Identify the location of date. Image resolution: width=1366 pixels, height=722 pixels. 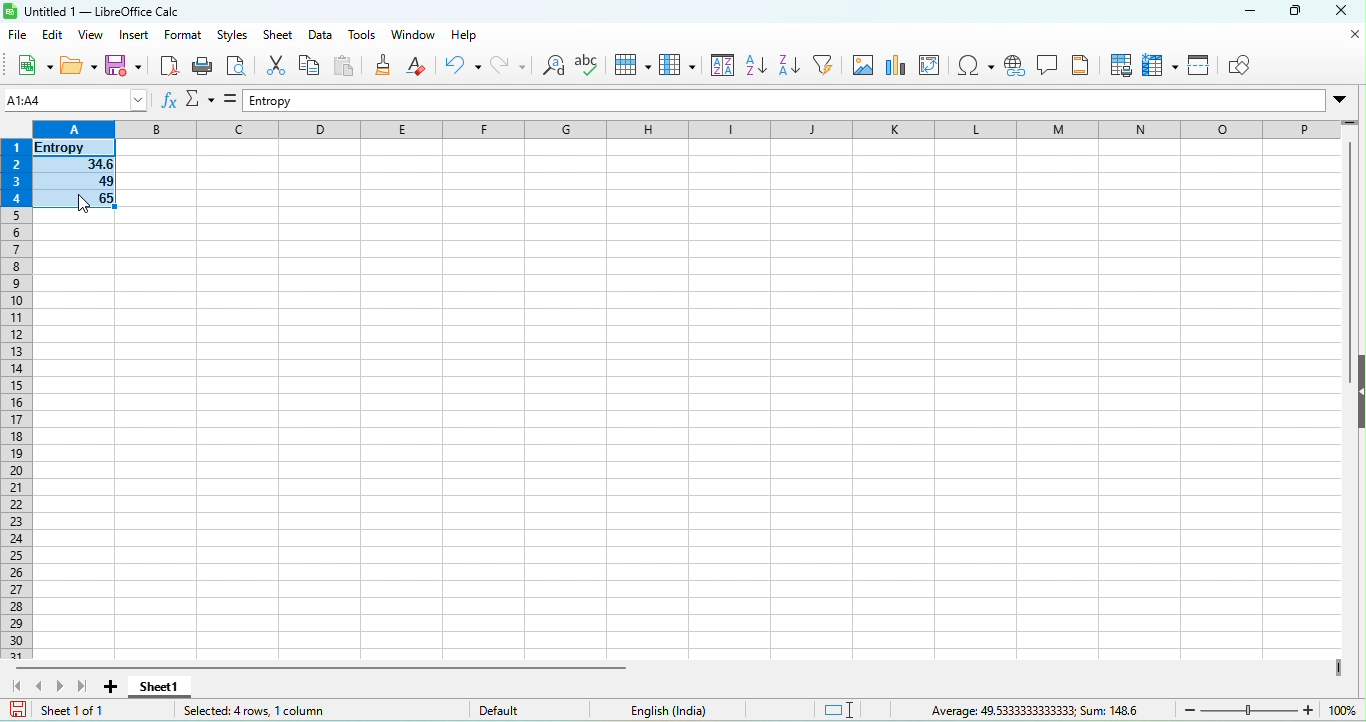
(329, 35).